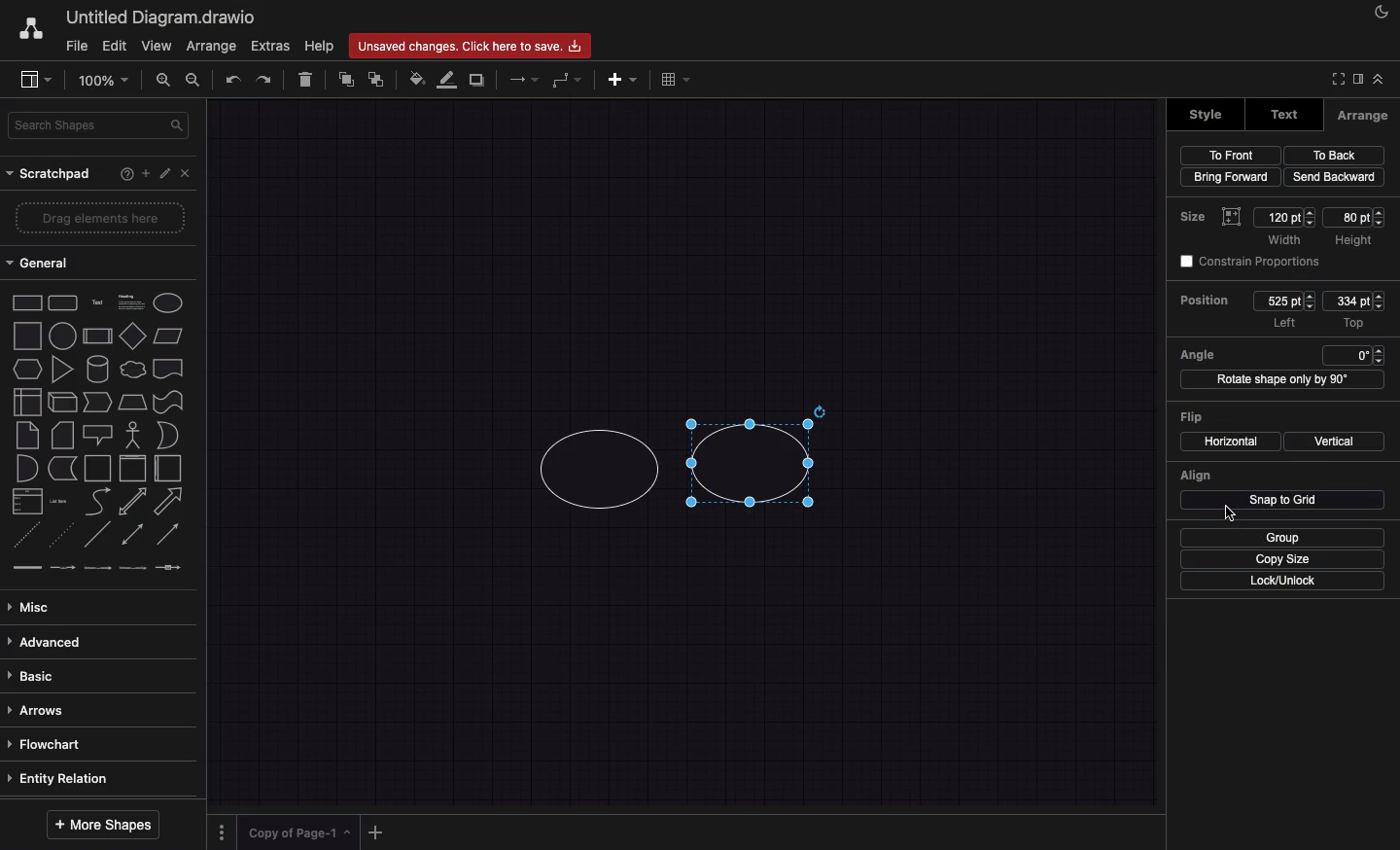 The width and height of the screenshot is (1400, 850). Describe the element at coordinates (1285, 114) in the screenshot. I see `text` at that location.